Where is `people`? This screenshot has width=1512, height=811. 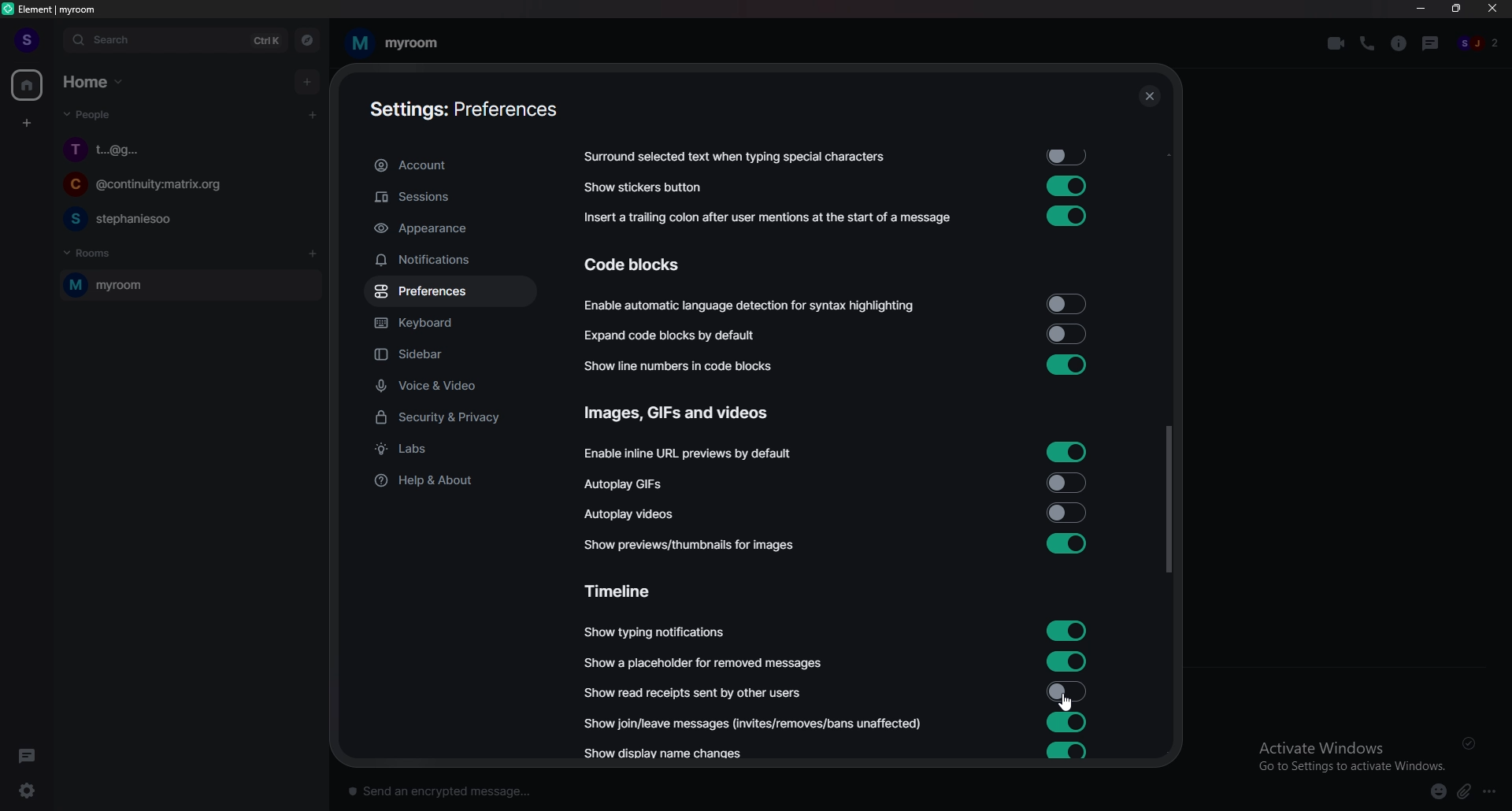 people is located at coordinates (1480, 44).